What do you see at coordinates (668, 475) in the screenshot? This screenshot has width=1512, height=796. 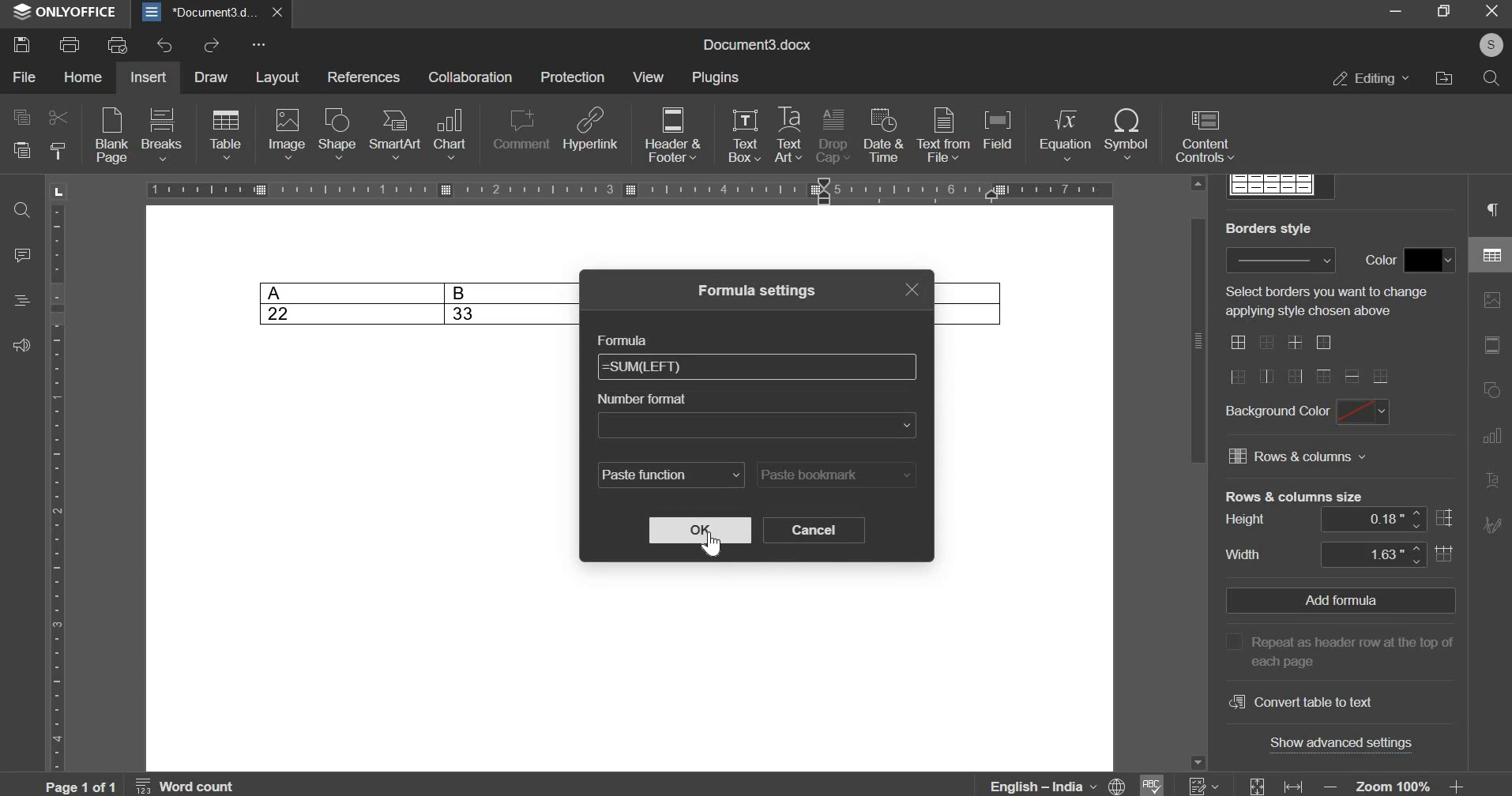 I see `paste function` at bounding box center [668, 475].